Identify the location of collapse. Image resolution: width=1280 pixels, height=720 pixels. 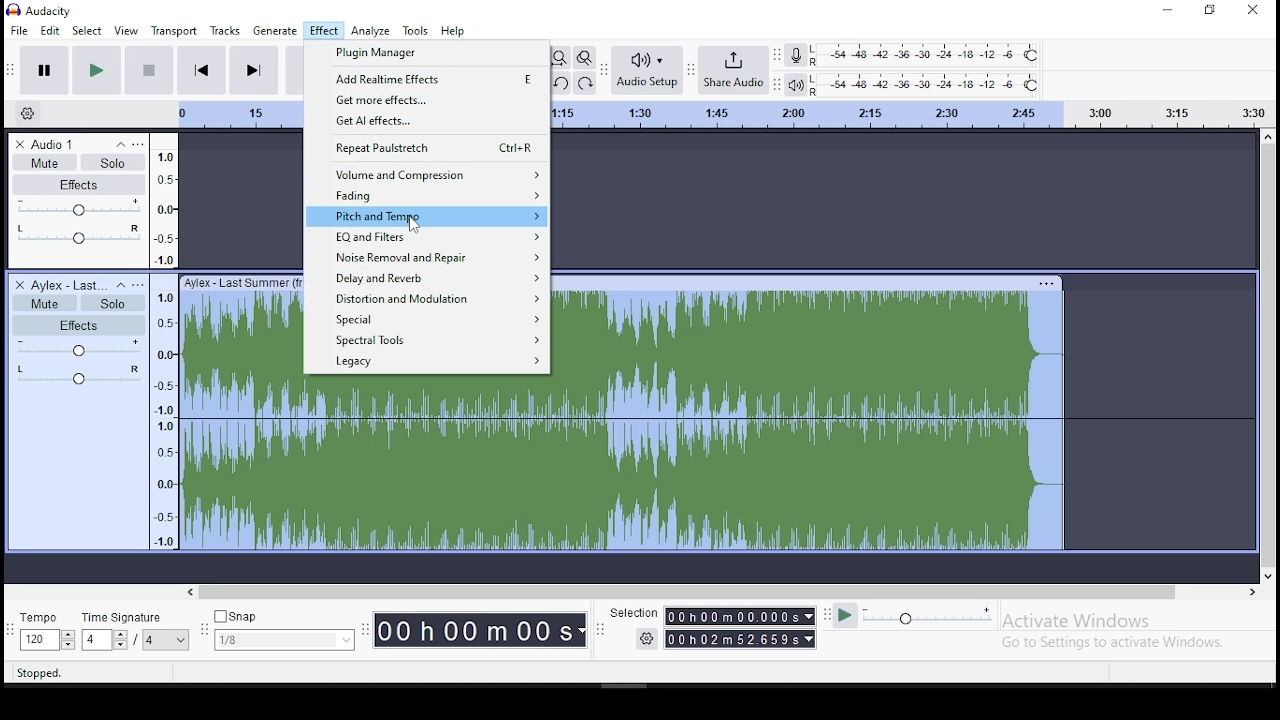
(119, 145).